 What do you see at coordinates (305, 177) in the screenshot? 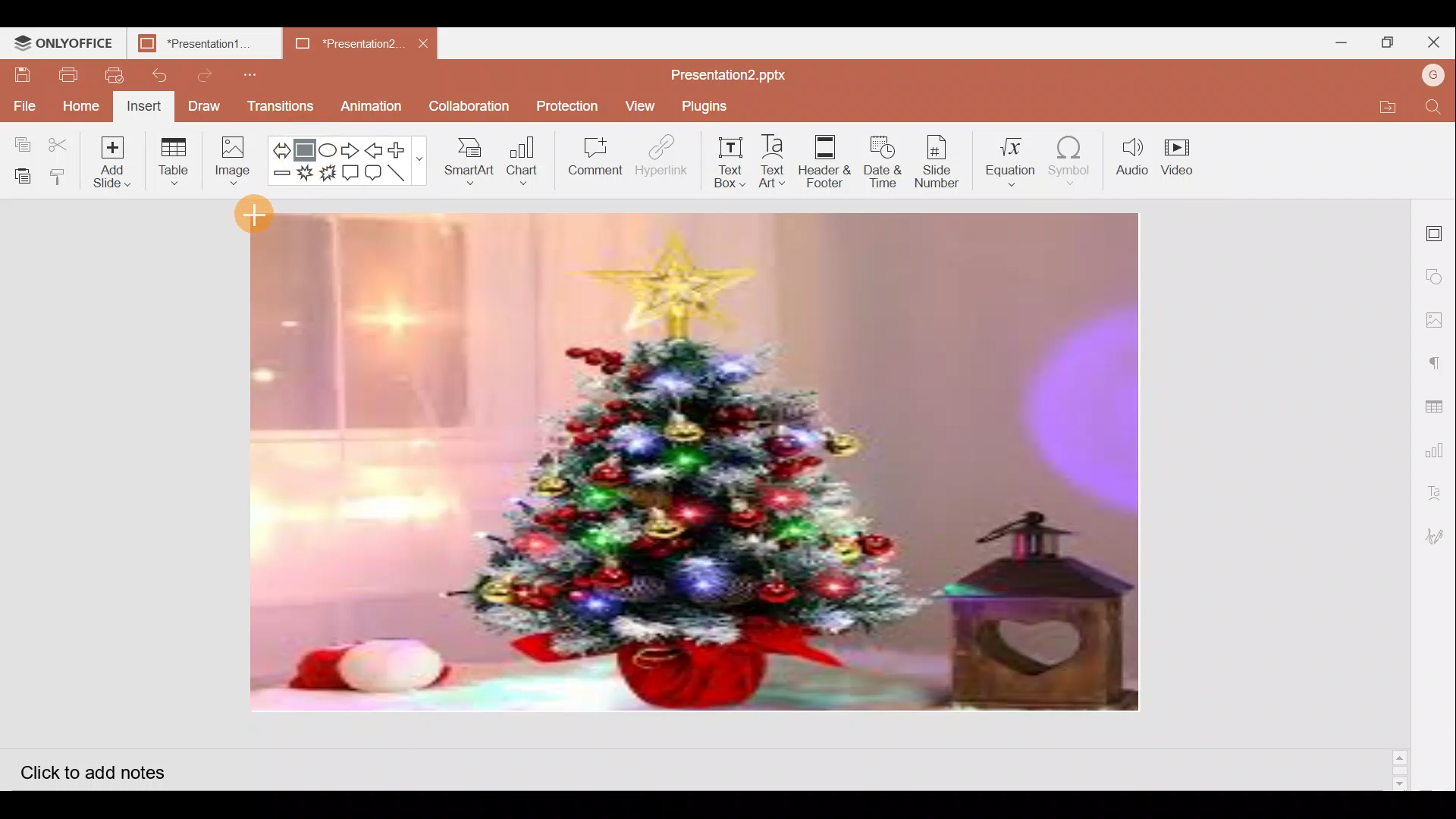
I see `Explosion 1` at bounding box center [305, 177].